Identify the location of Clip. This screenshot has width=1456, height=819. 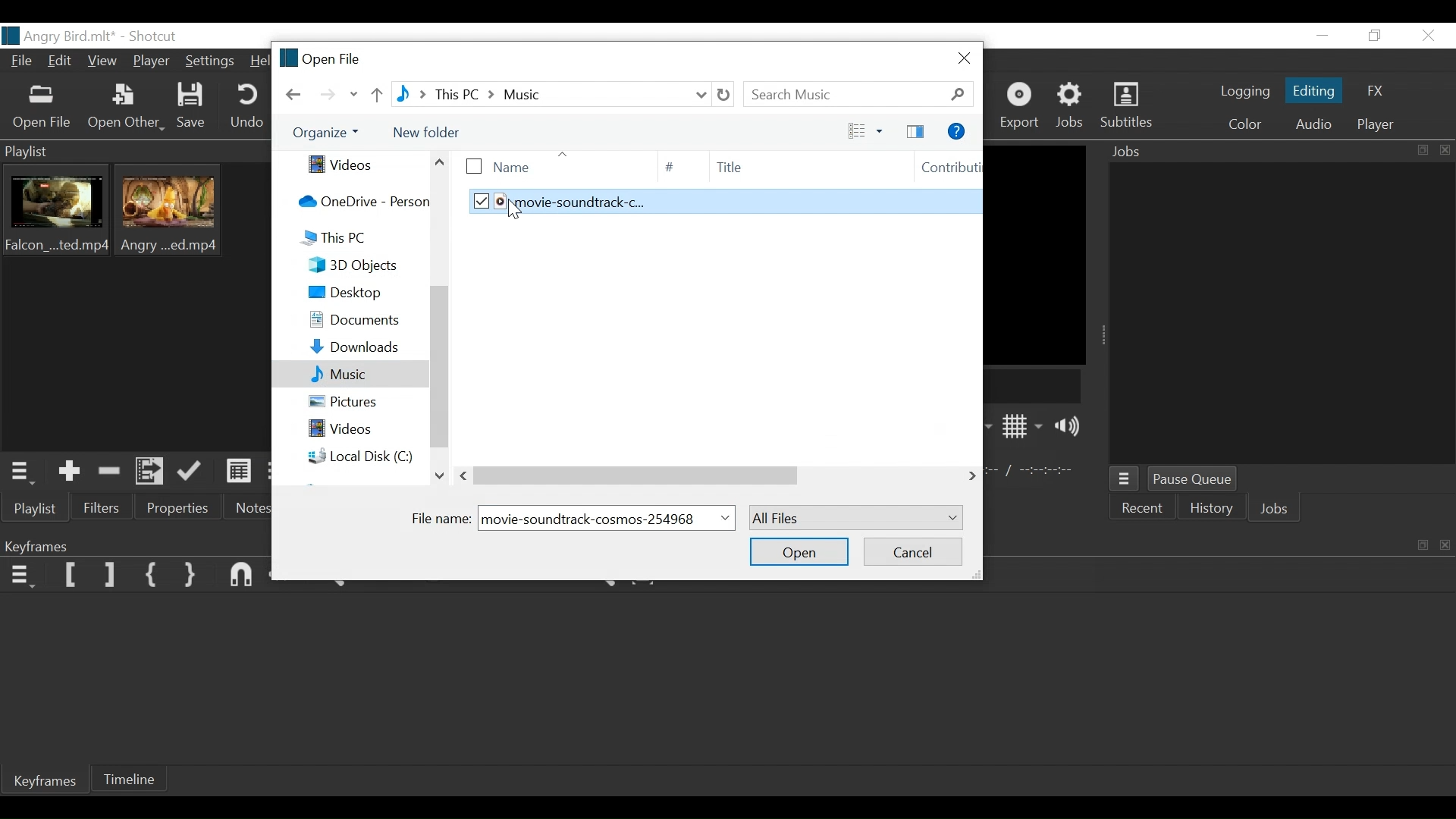
(60, 214).